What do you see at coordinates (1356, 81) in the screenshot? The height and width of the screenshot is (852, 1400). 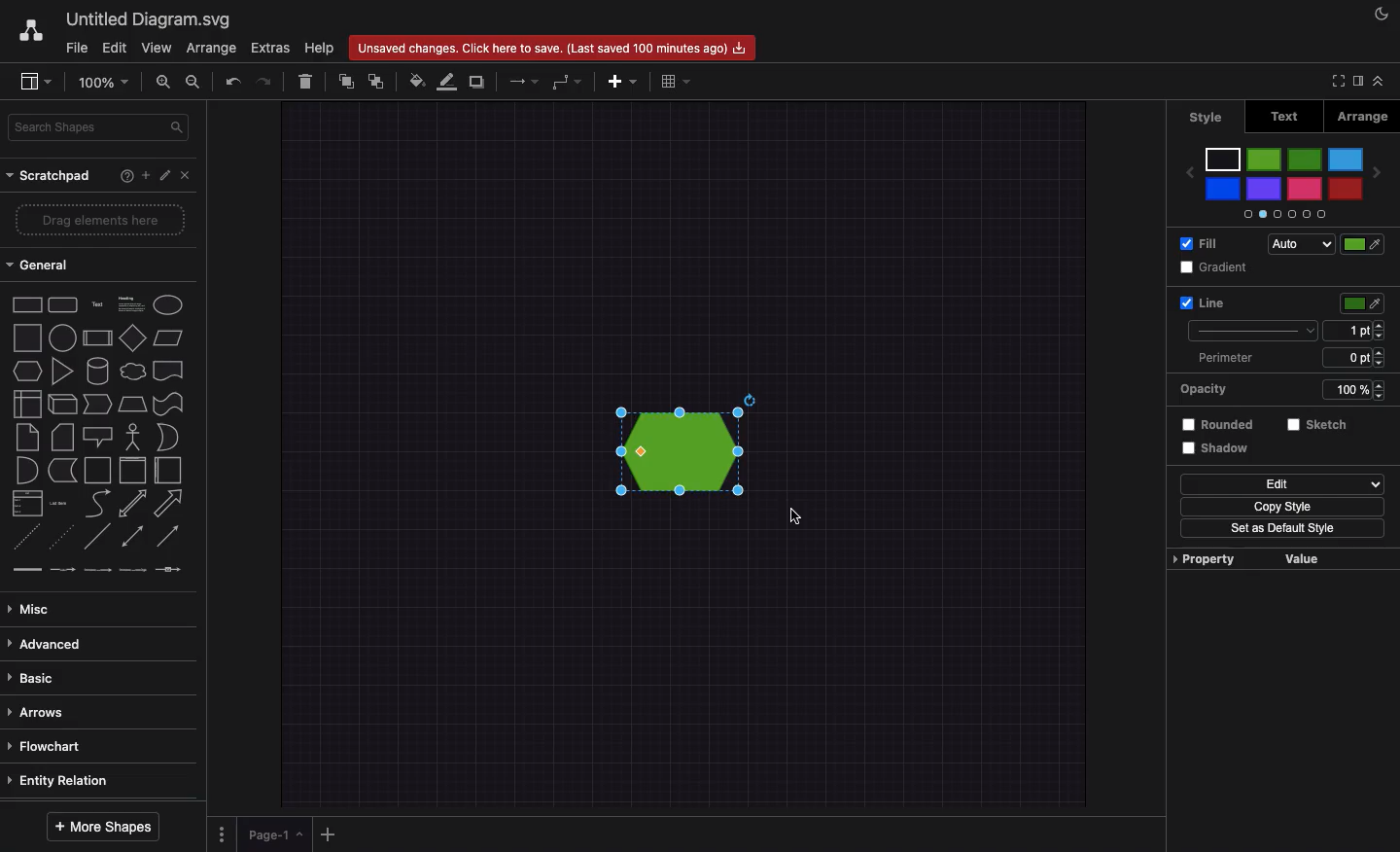 I see `Sidebar` at bounding box center [1356, 81].